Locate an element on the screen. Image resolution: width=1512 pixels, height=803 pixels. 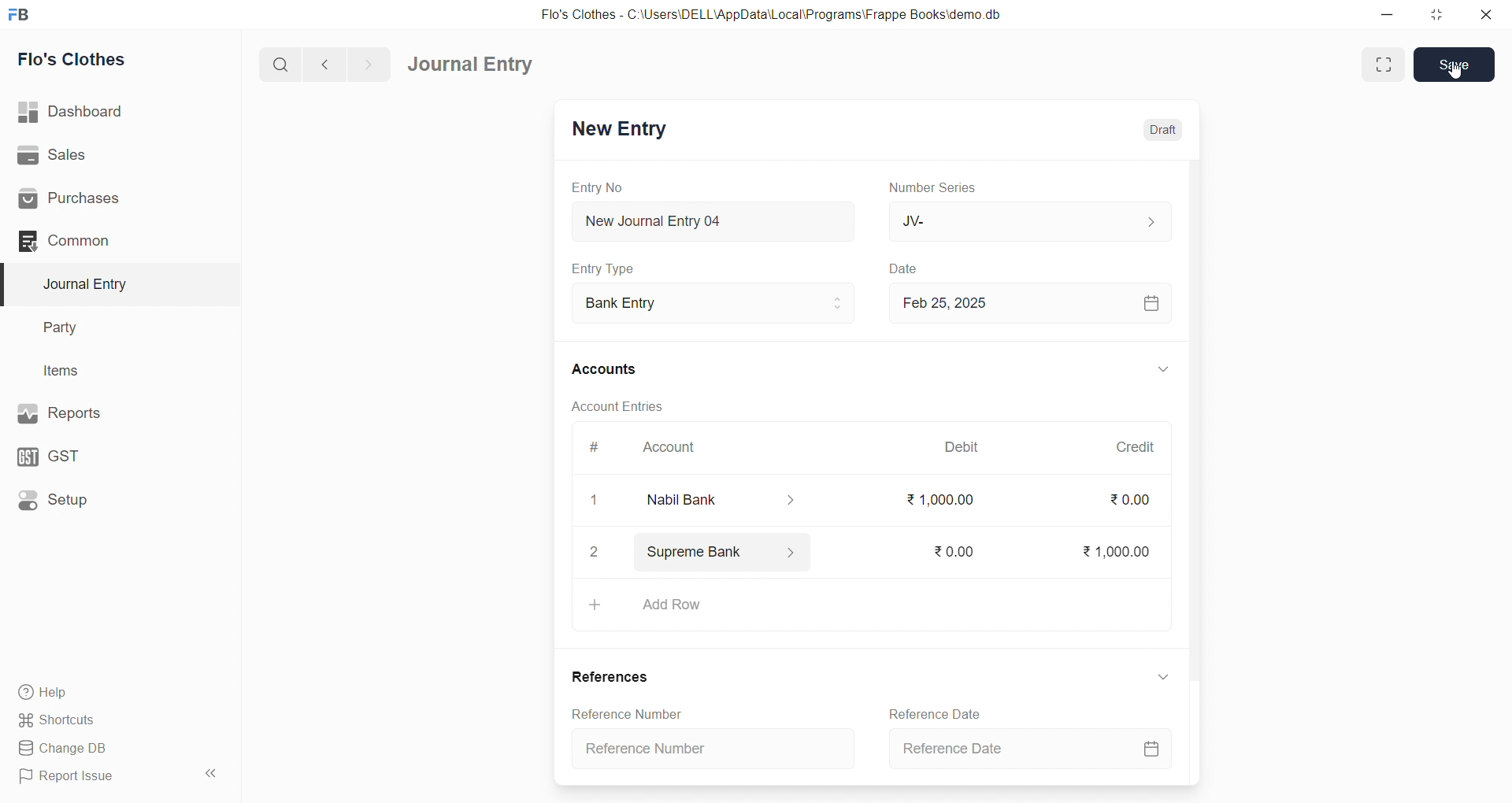
Flo's Clothes - C:\Users\DELL\AppData\Local\Programs\Frappe Books\demo.db is located at coordinates (783, 16).